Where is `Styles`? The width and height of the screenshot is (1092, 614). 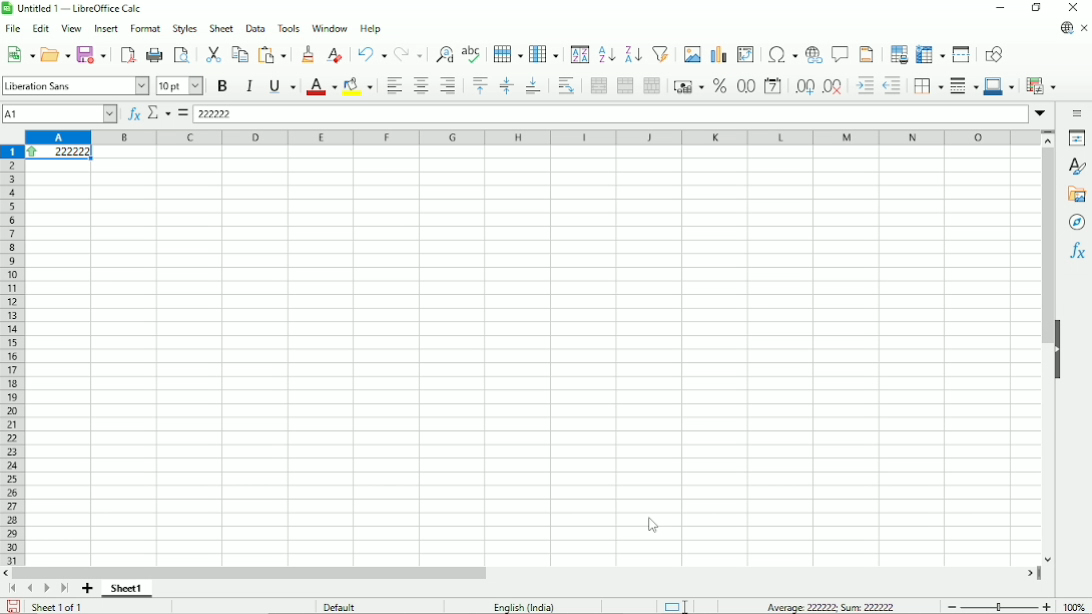 Styles is located at coordinates (184, 28).